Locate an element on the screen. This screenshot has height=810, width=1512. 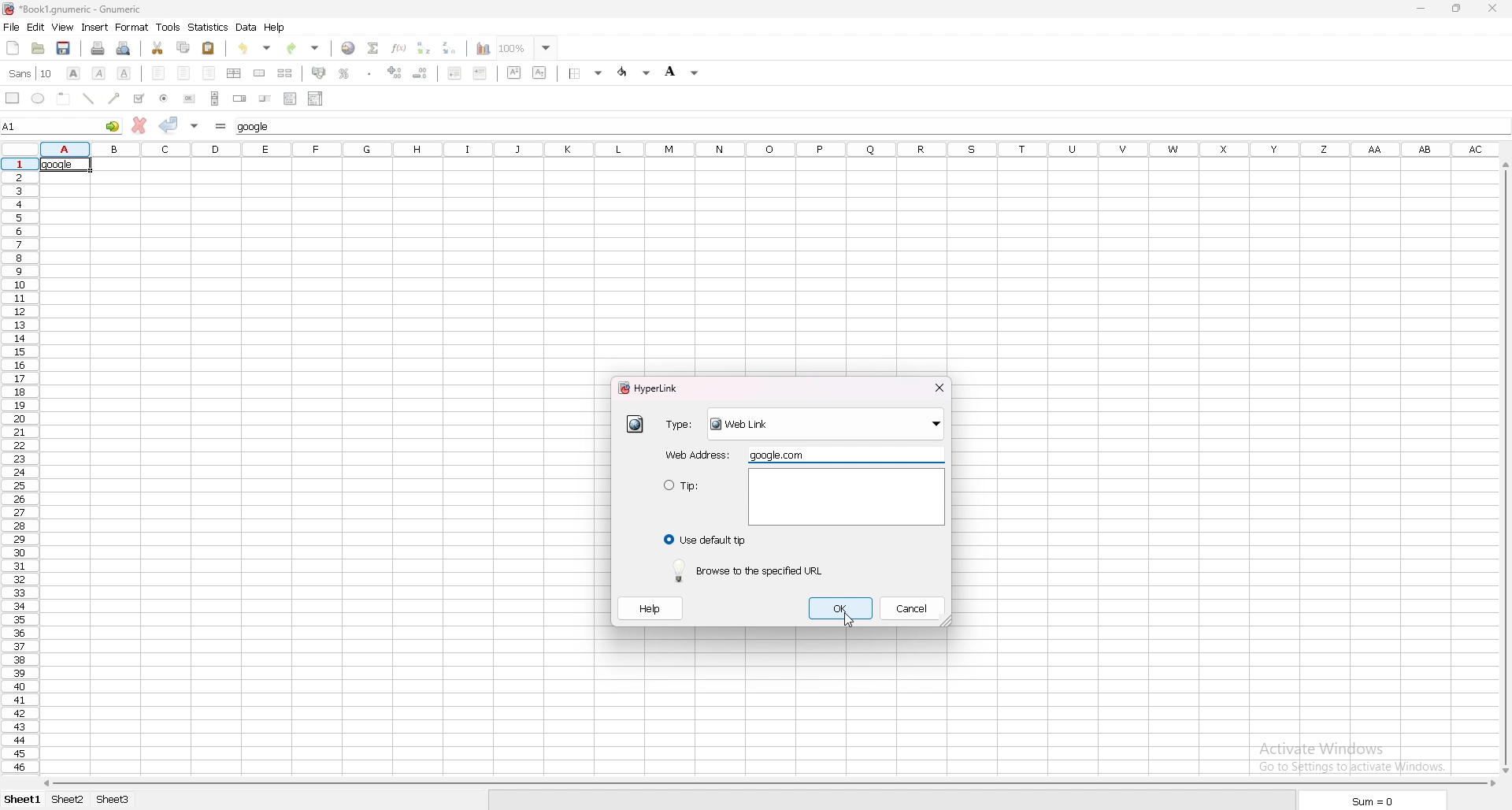
Sum = 0 is located at coordinates (1362, 801).